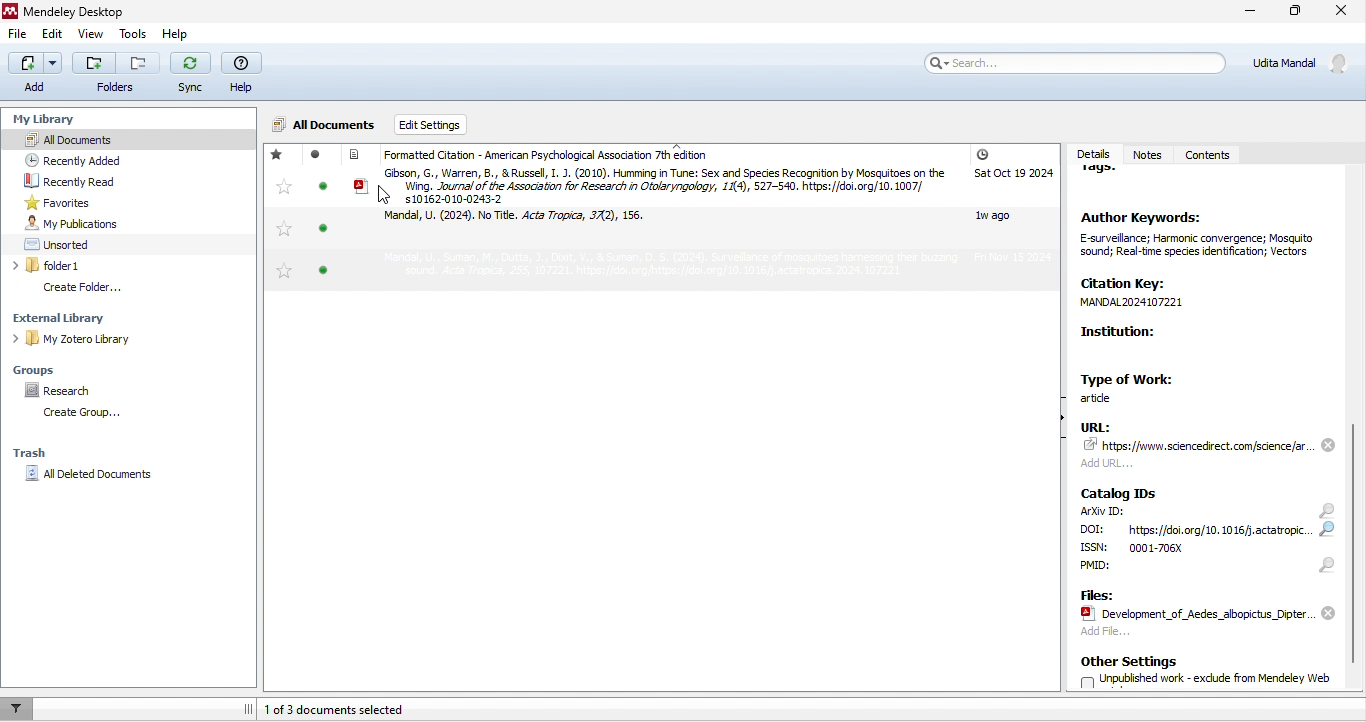 This screenshot has height=722, width=1366. What do you see at coordinates (18, 708) in the screenshot?
I see `filter` at bounding box center [18, 708].